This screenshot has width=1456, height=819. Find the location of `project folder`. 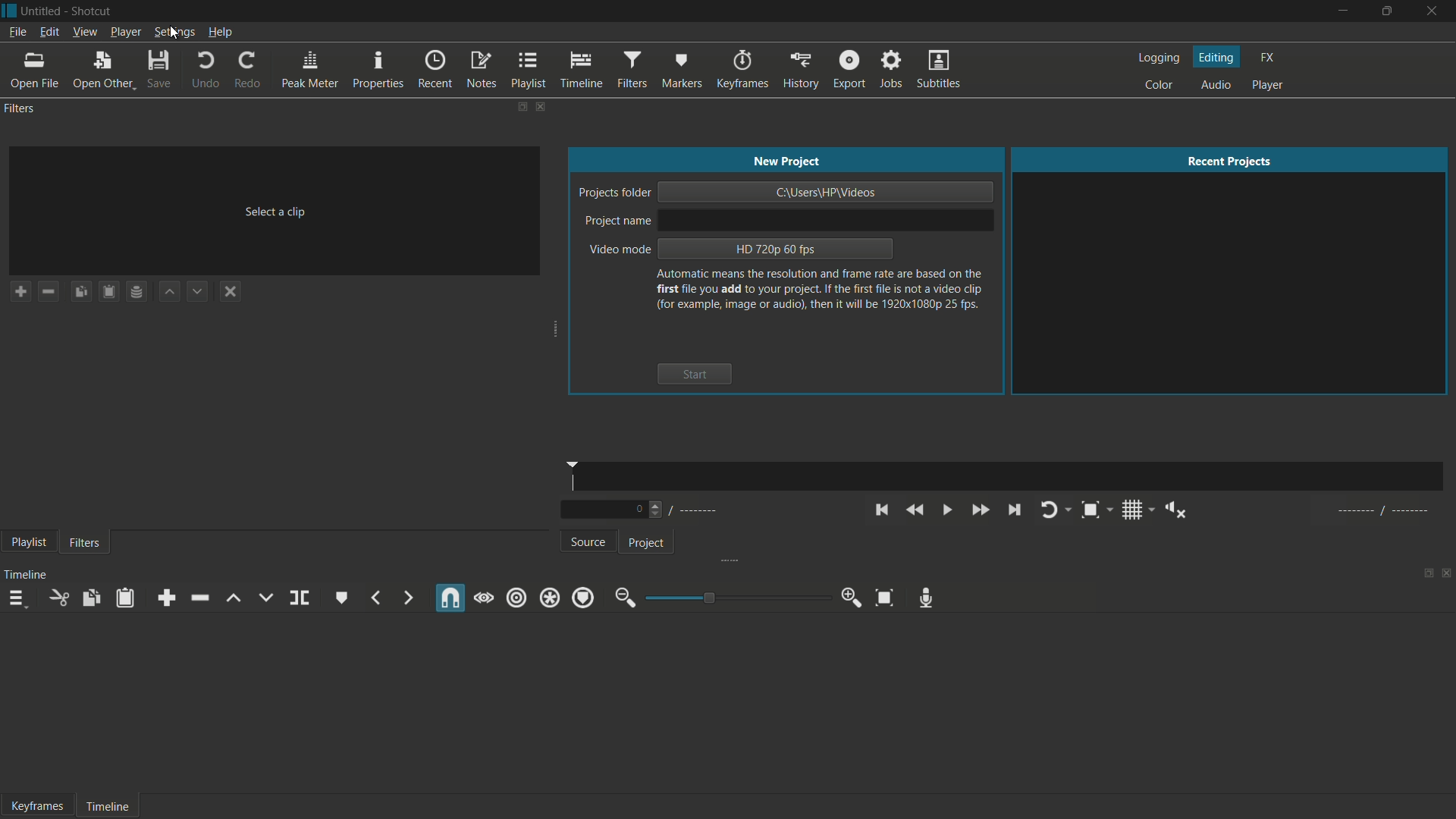

project folder is located at coordinates (613, 193).